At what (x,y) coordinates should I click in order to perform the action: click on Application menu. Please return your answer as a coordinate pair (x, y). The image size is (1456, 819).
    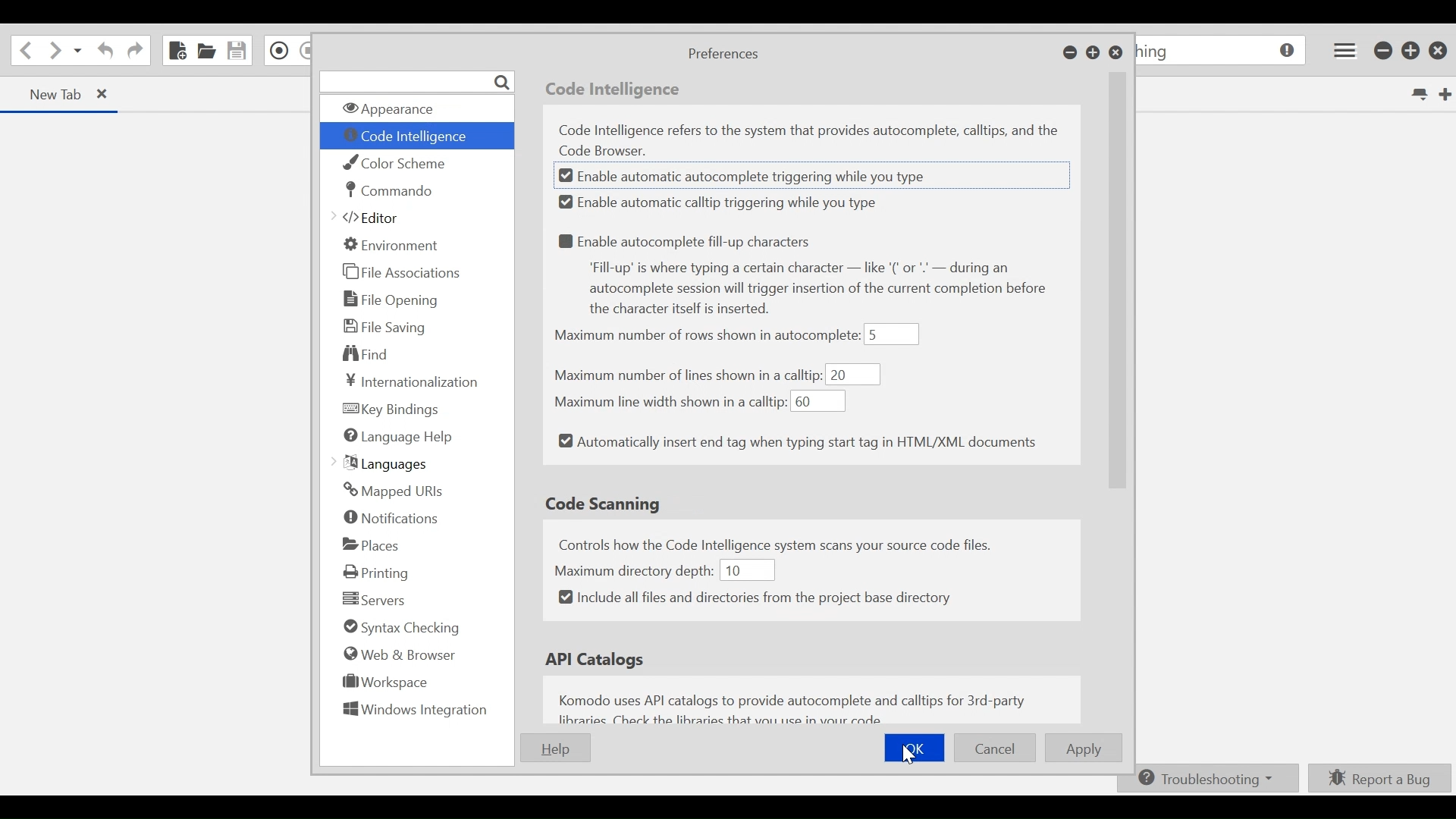
    Looking at the image, I should click on (1341, 50).